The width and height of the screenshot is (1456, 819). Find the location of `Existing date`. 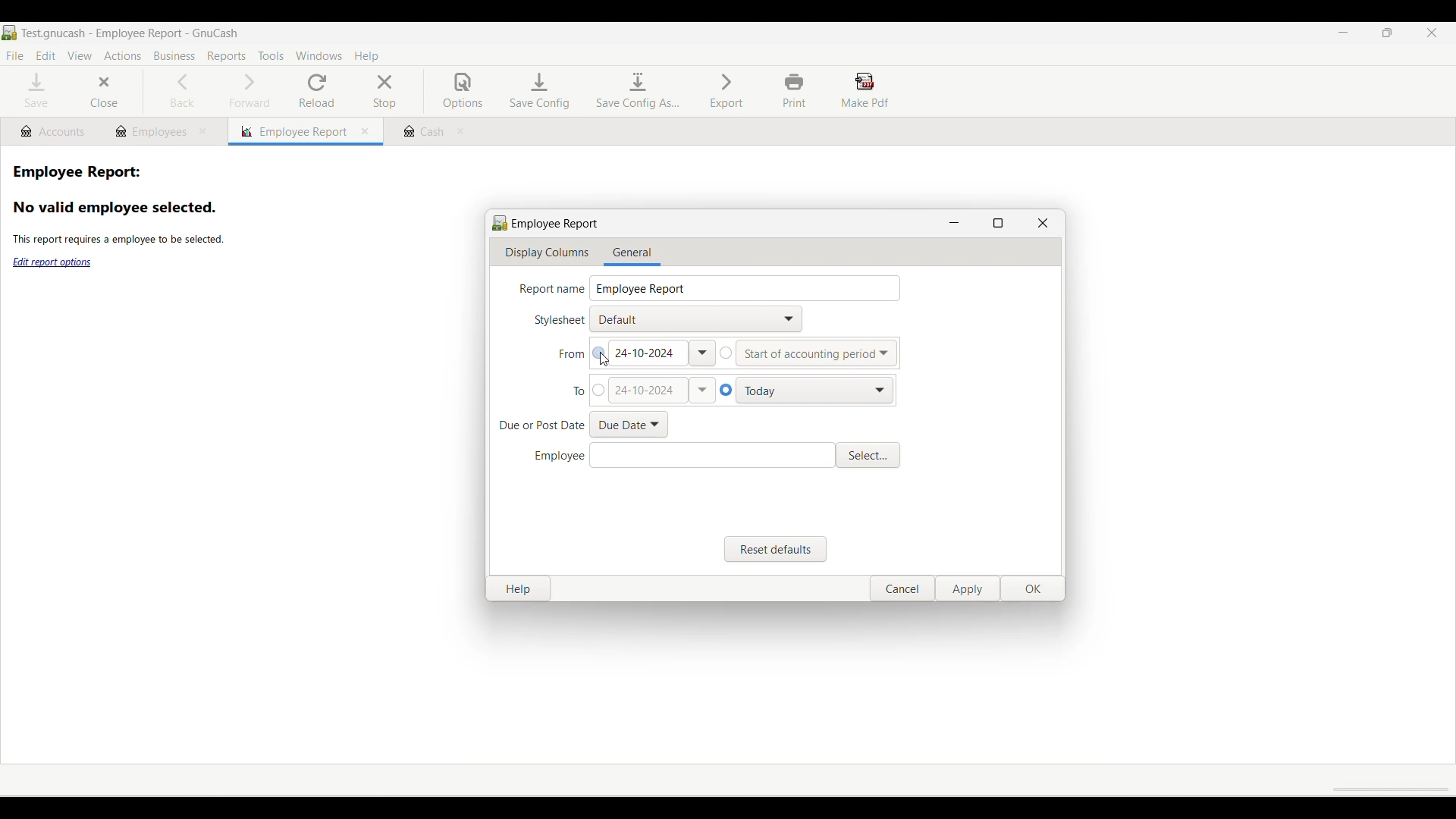

Existing date is located at coordinates (649, 353).